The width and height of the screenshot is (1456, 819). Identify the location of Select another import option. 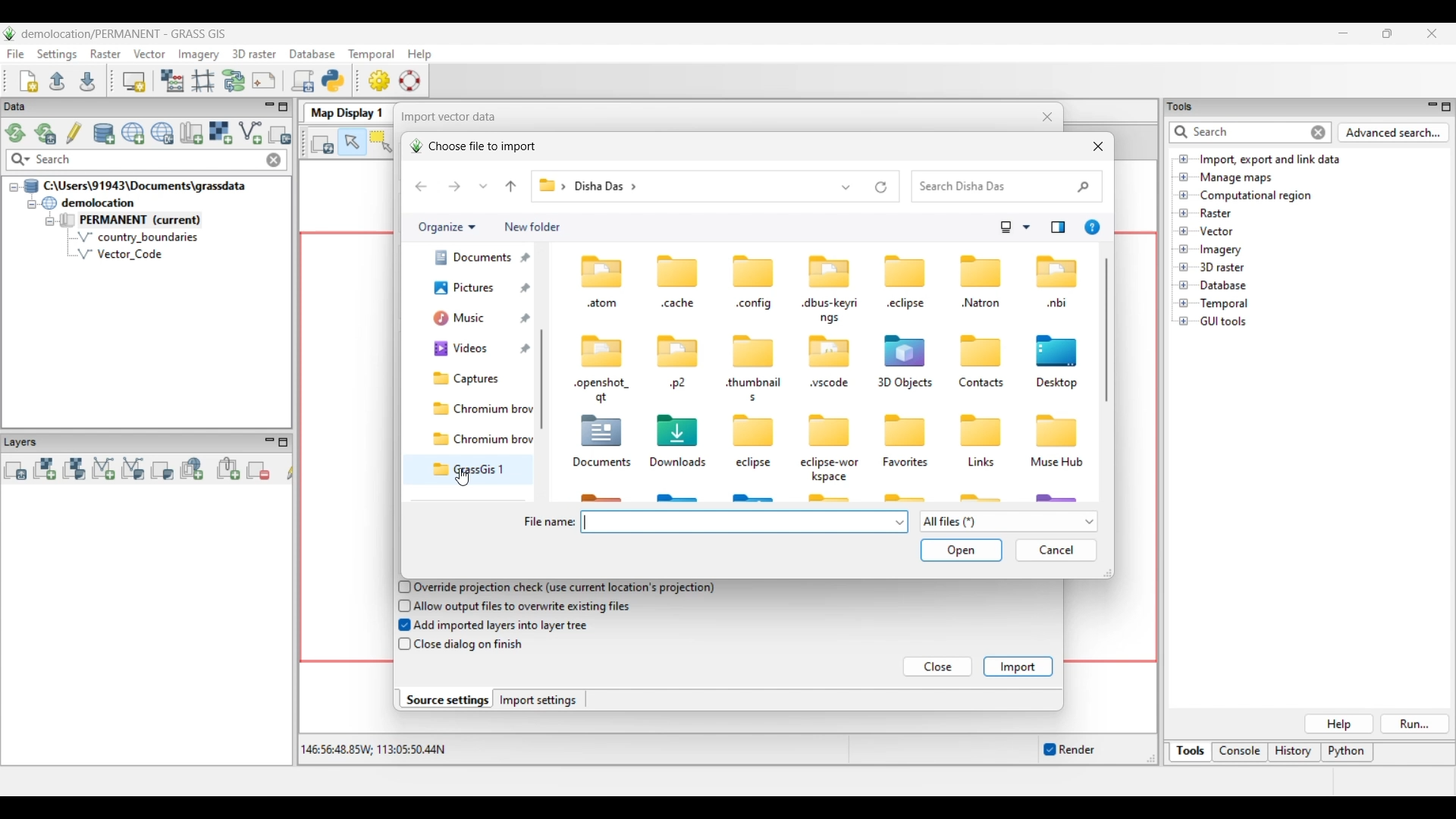
(279, 134).